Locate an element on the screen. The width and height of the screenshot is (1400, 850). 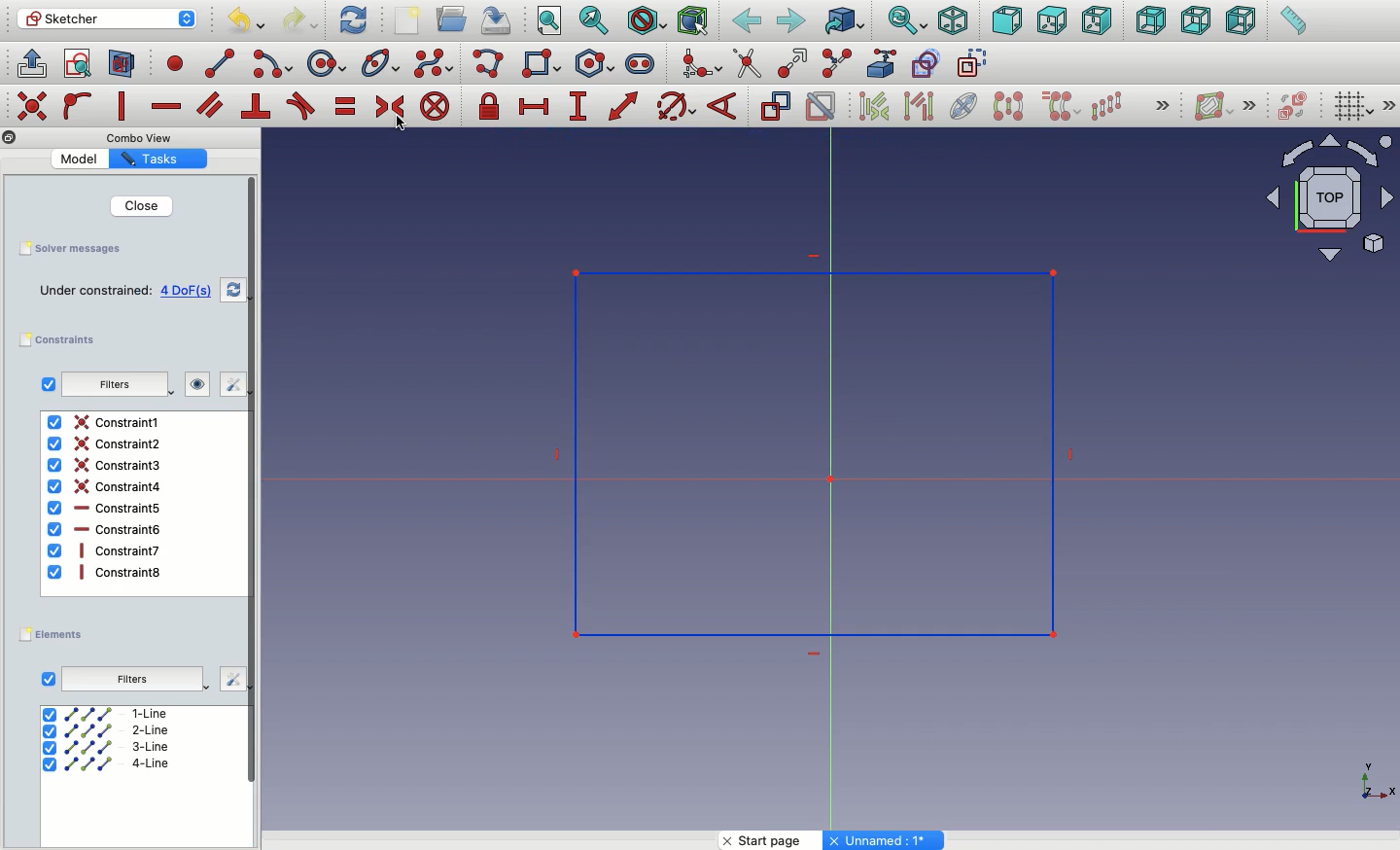
constraints is located at coordinates (62, 340).